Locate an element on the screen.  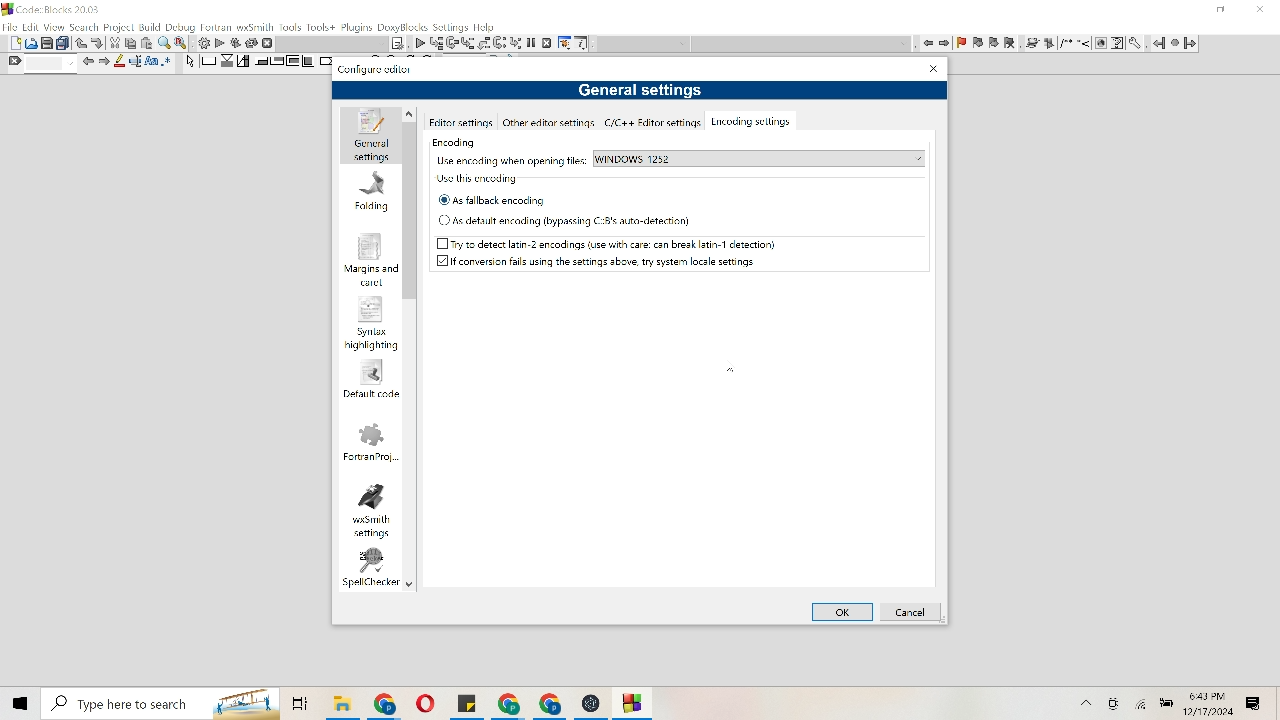
settings is located at coordinates (451, 28).